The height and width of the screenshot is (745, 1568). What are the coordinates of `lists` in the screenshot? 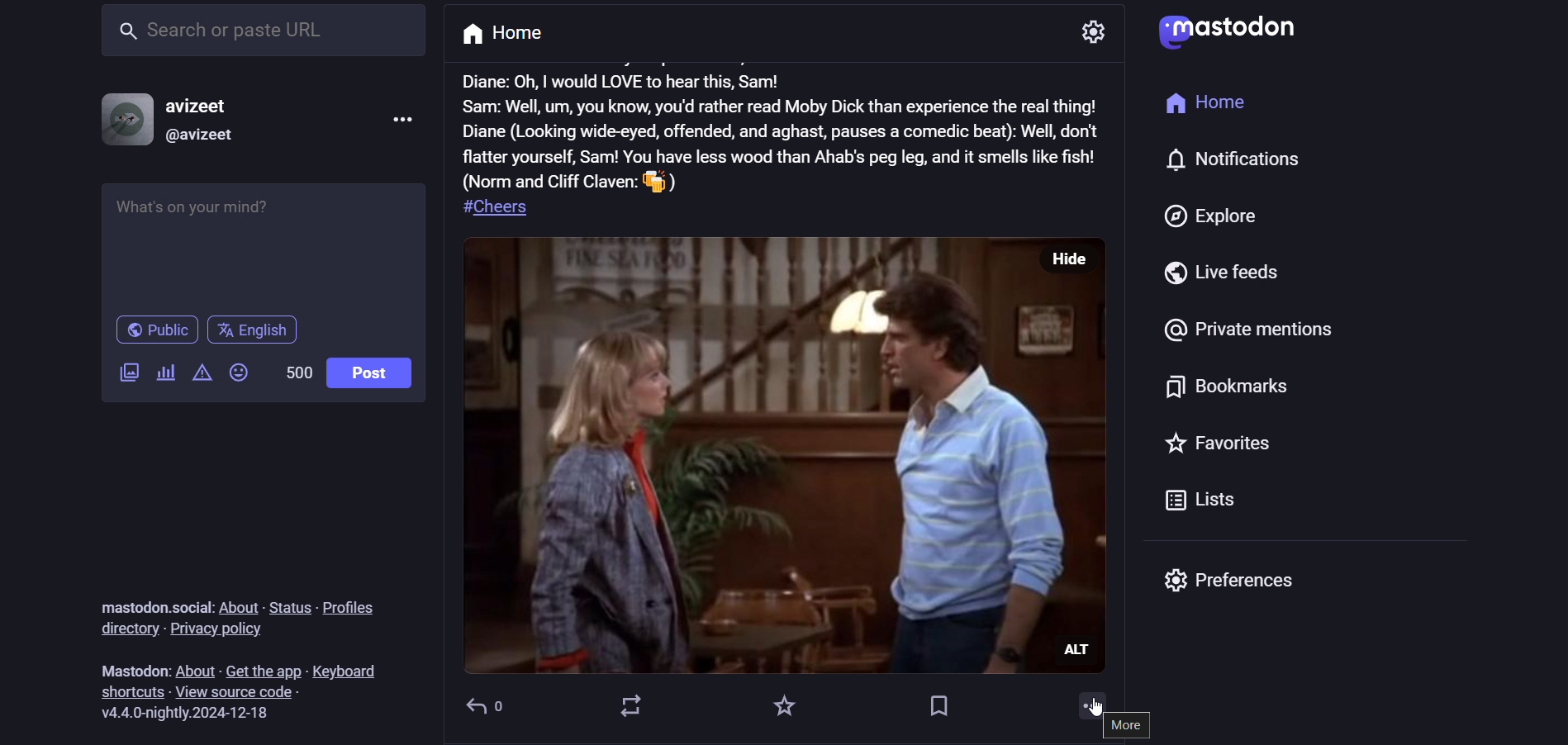 It's located at (1200, 501).